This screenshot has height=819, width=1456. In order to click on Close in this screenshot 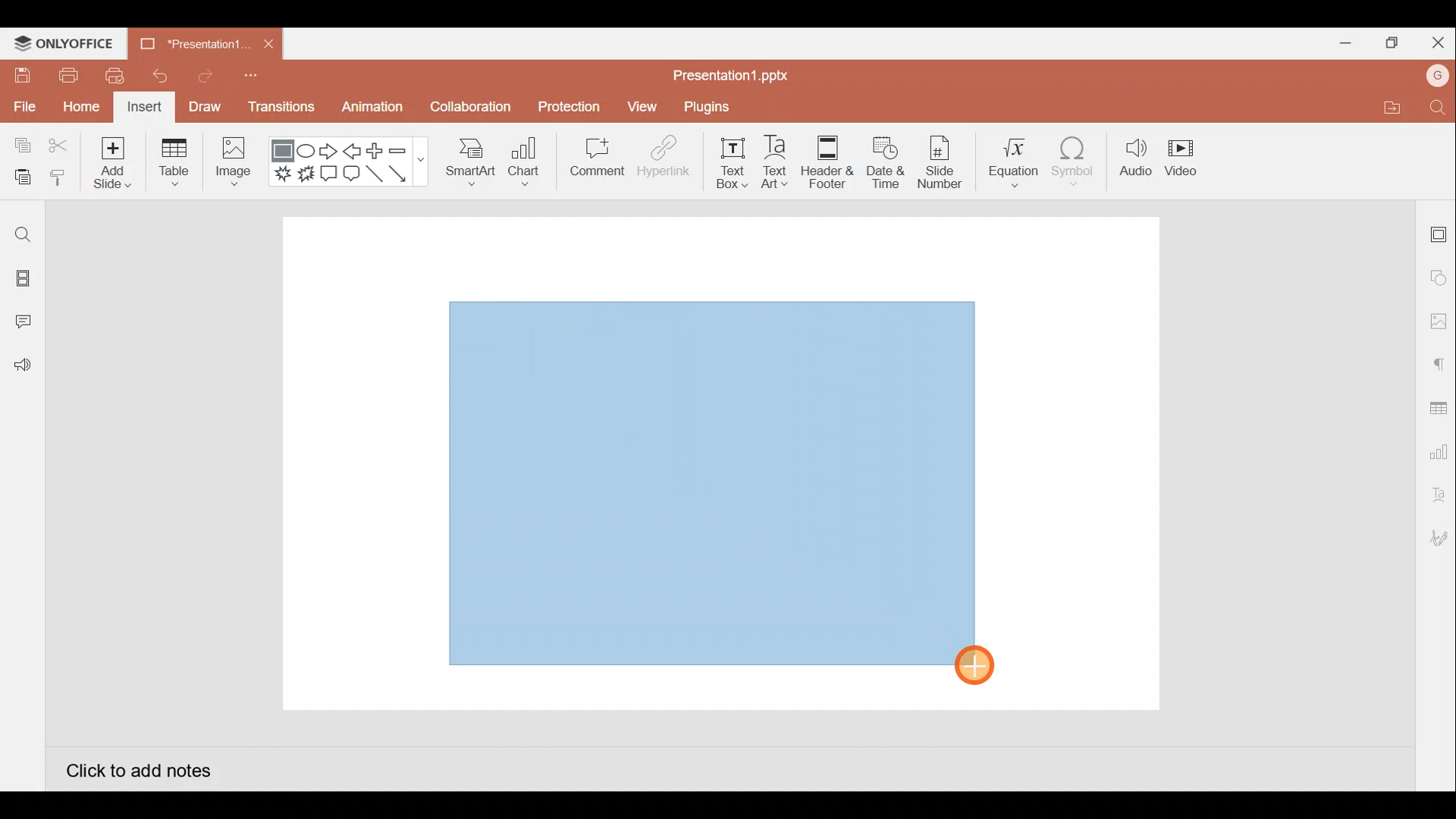, I will do `click(1435, 39)`.